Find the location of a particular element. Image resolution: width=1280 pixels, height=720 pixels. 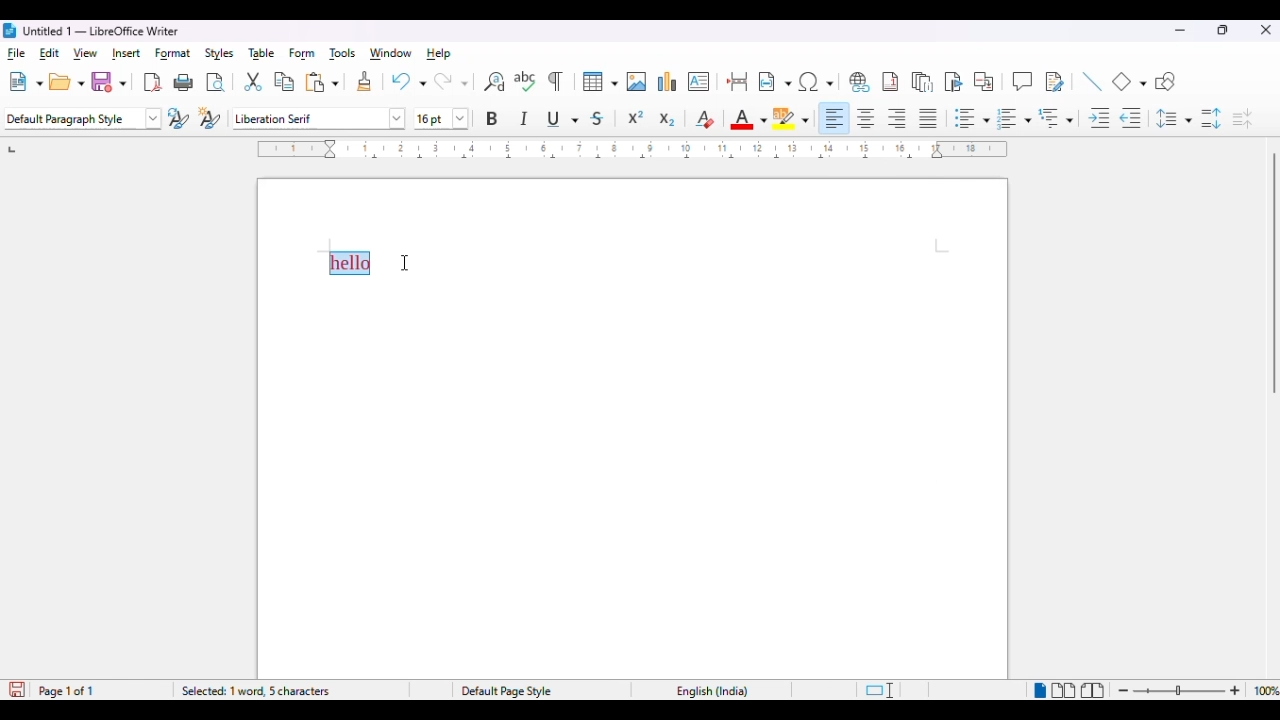

Default Page Style is located at coordinates (510, 690).